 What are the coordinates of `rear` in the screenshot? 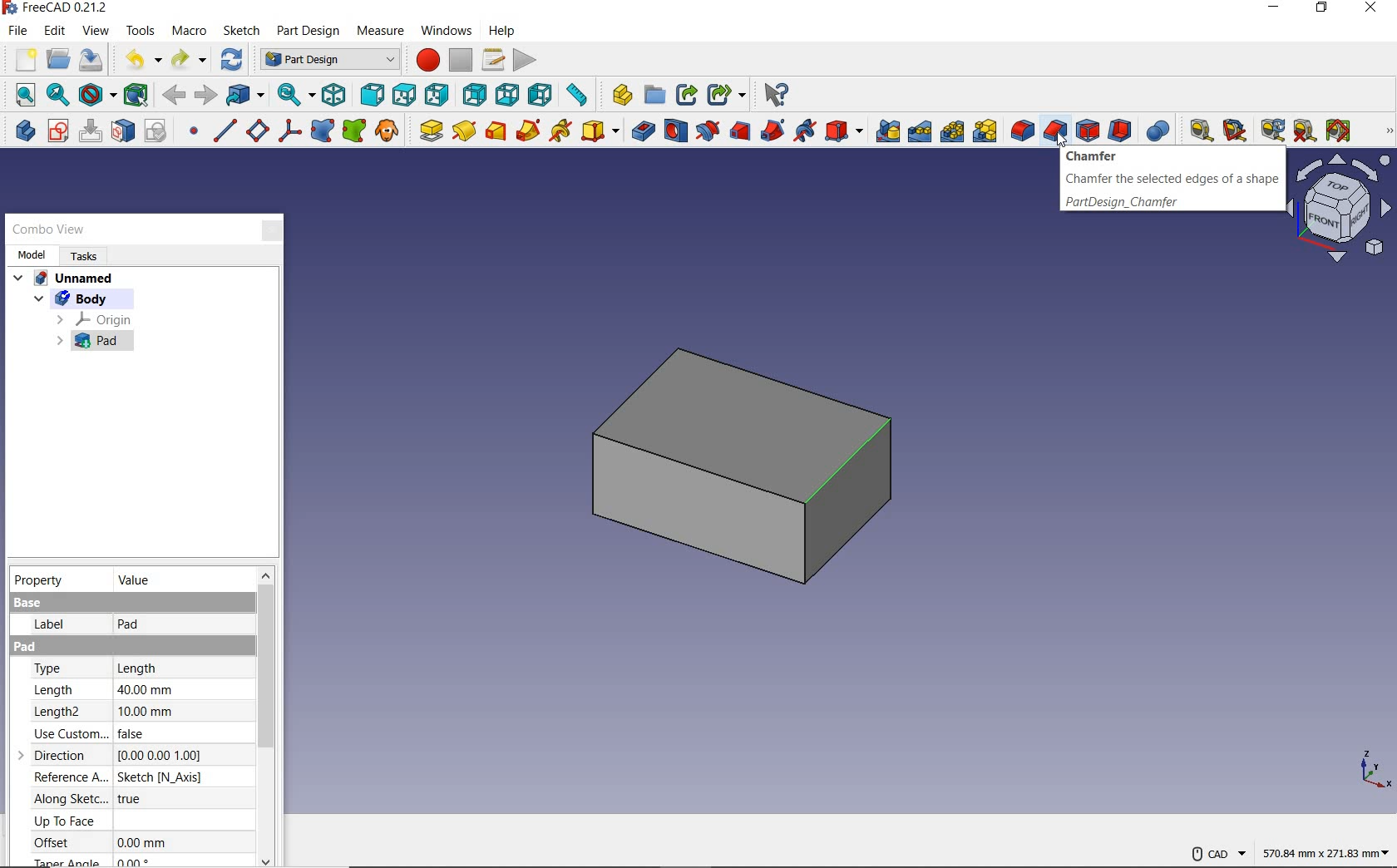 It's located at (476, 94).